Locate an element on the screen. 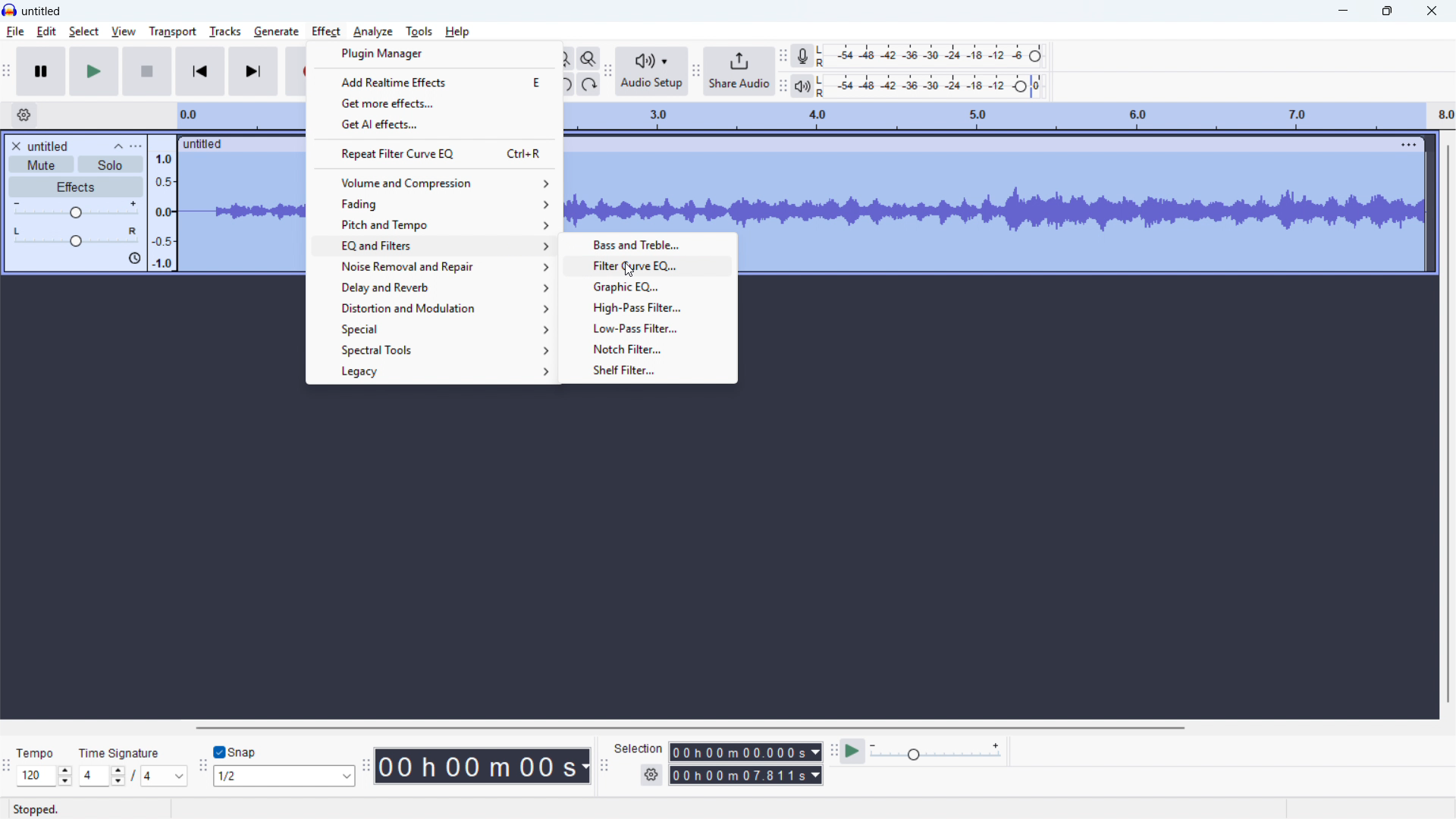 The image size is (1456, 819). toggle zoom is located at coordinates (589, 59).